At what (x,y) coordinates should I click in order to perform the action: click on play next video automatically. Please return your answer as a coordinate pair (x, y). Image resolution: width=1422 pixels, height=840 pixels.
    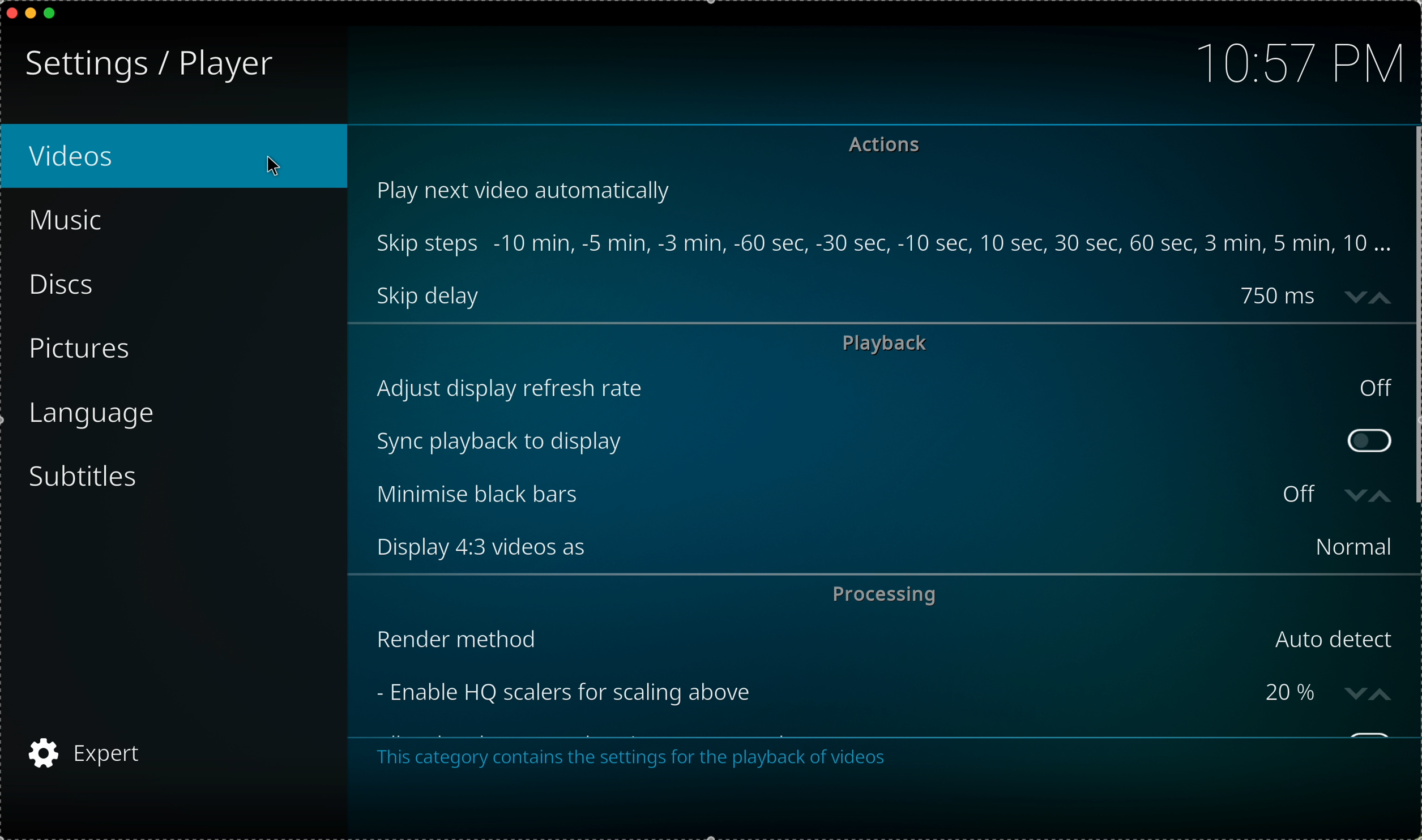
    Looking at the image, I should click on (529, 189).